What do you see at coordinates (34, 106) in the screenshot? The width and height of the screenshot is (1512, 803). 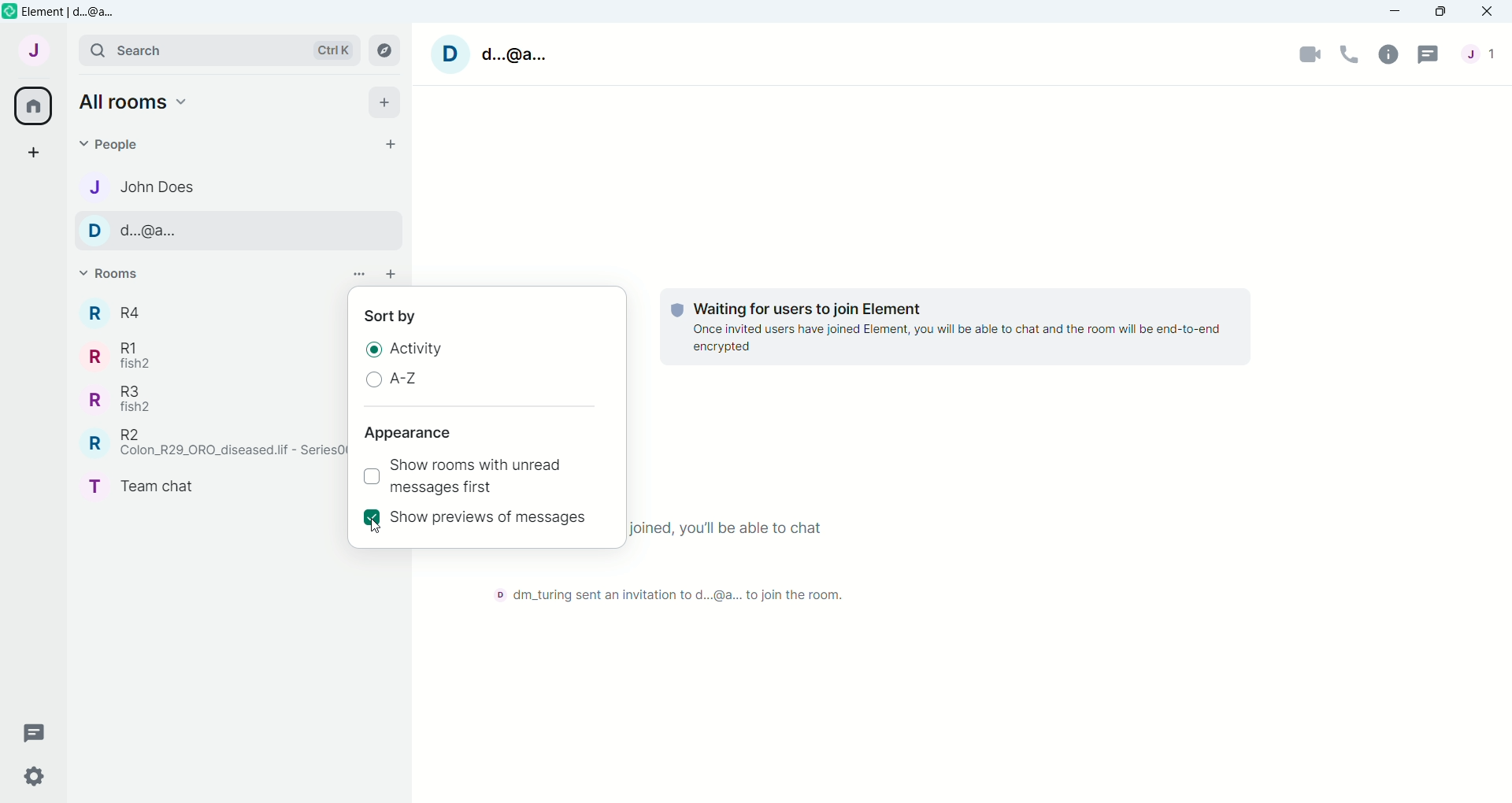 I see `All Rooms` at bounding box center [34, 106].